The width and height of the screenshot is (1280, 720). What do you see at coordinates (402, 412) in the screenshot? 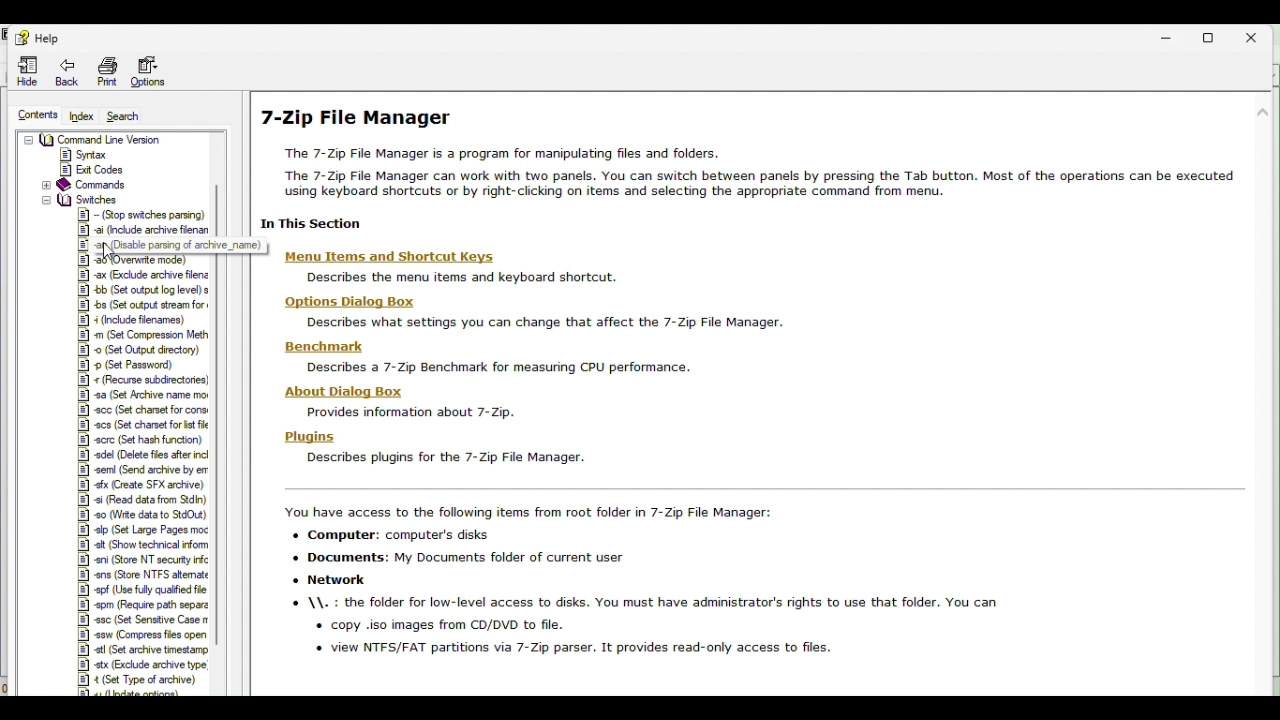
I see `Provides information about 7-2` at bounding box center [402, 412].